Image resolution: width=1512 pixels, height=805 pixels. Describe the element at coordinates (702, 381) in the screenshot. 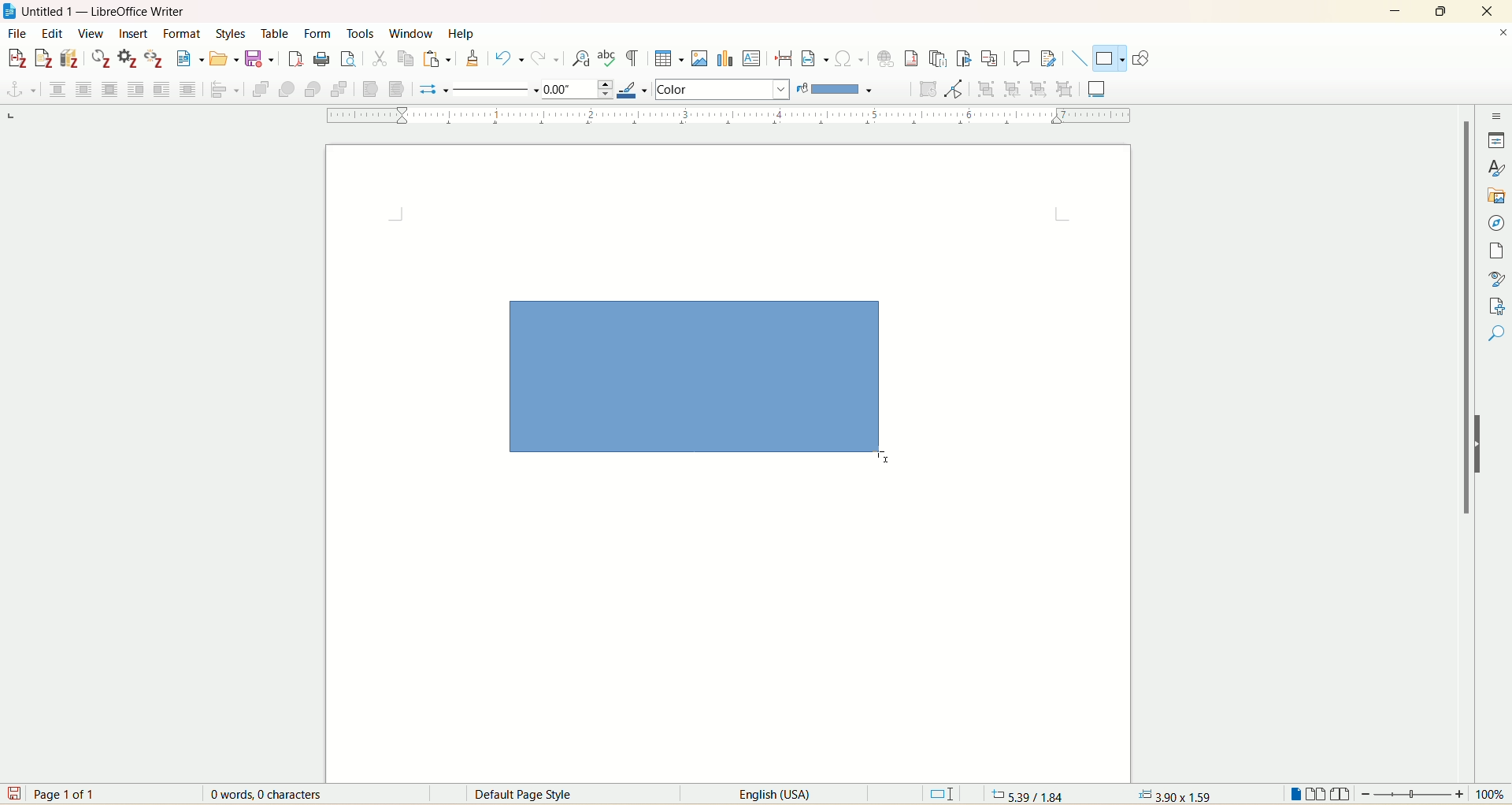

I see `rectangle` at that location.